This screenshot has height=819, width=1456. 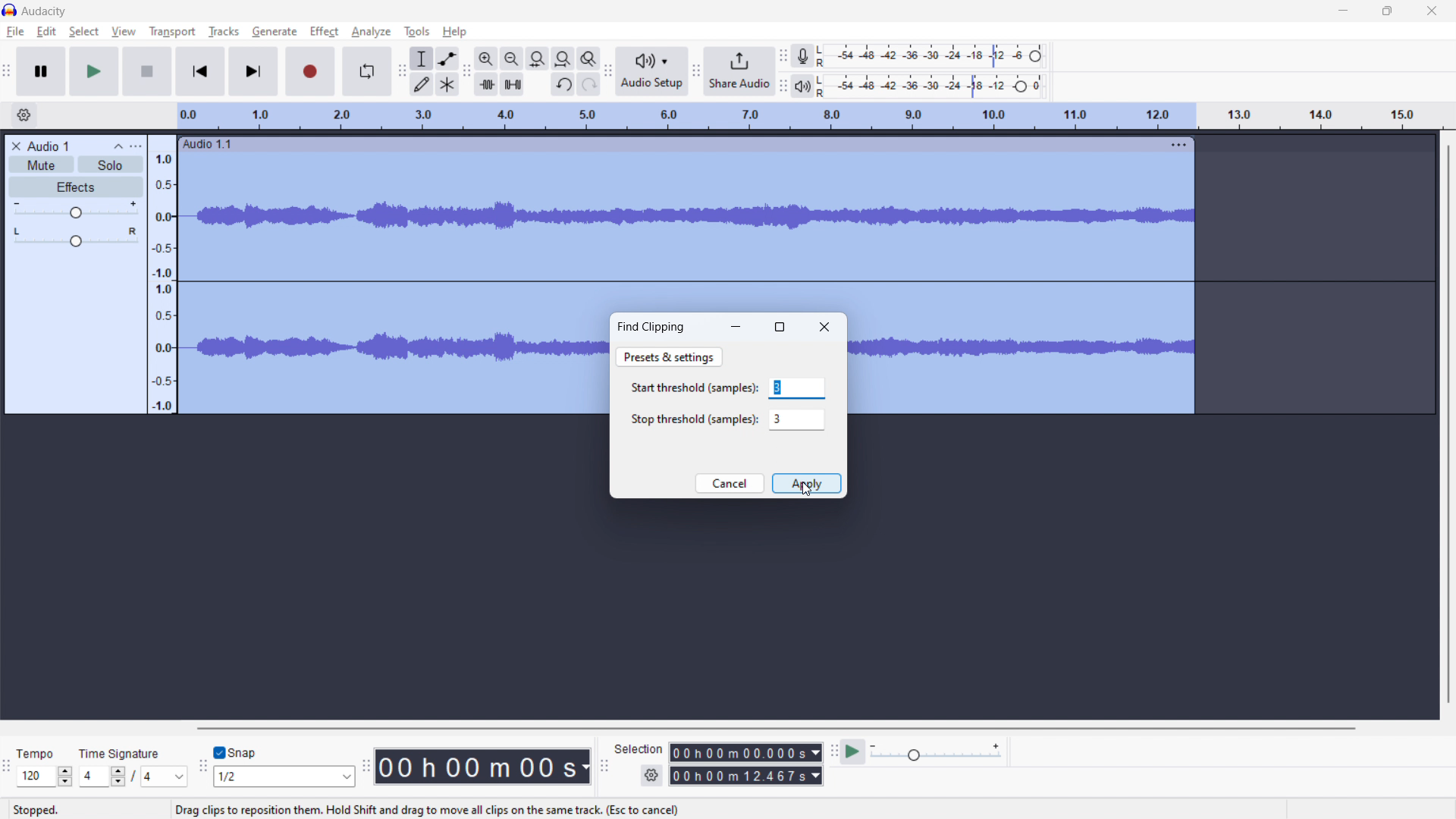 I want to click on stop threshold, so click(x=796, y=419).